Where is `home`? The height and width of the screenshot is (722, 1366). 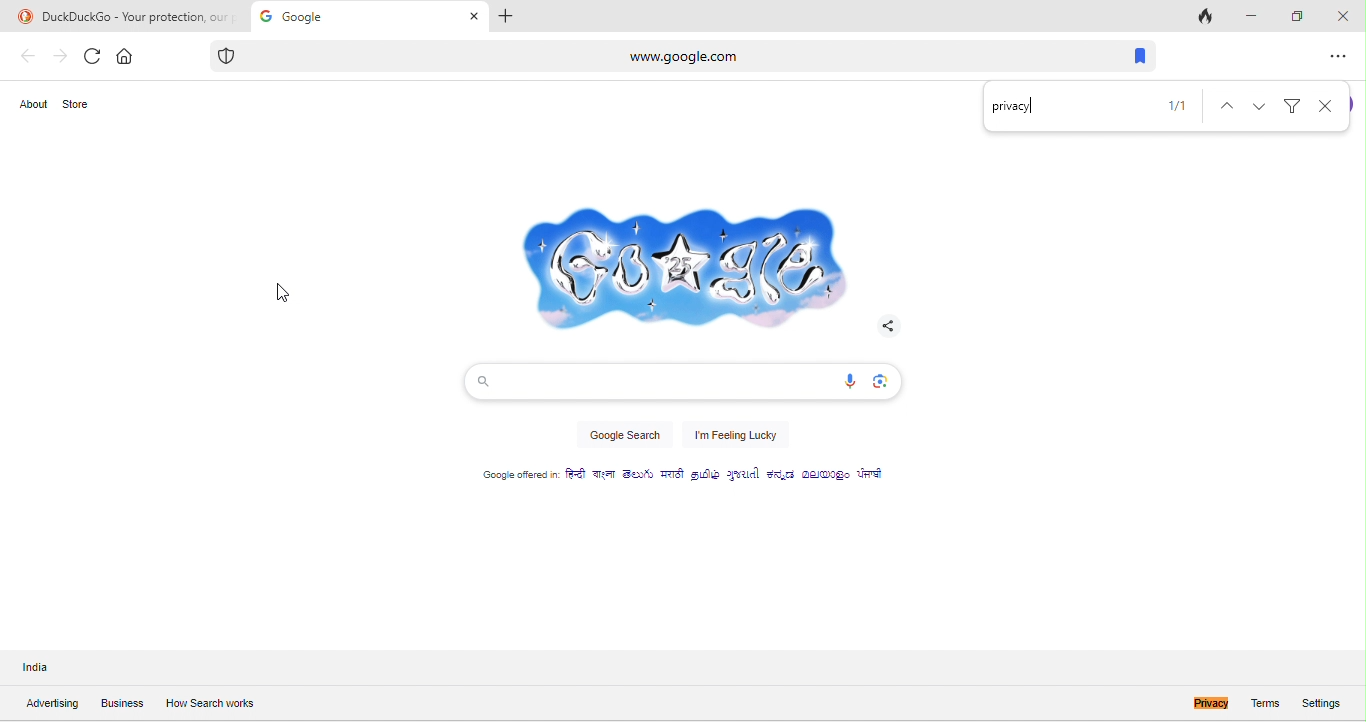 home is located at coordinates (127, 54).